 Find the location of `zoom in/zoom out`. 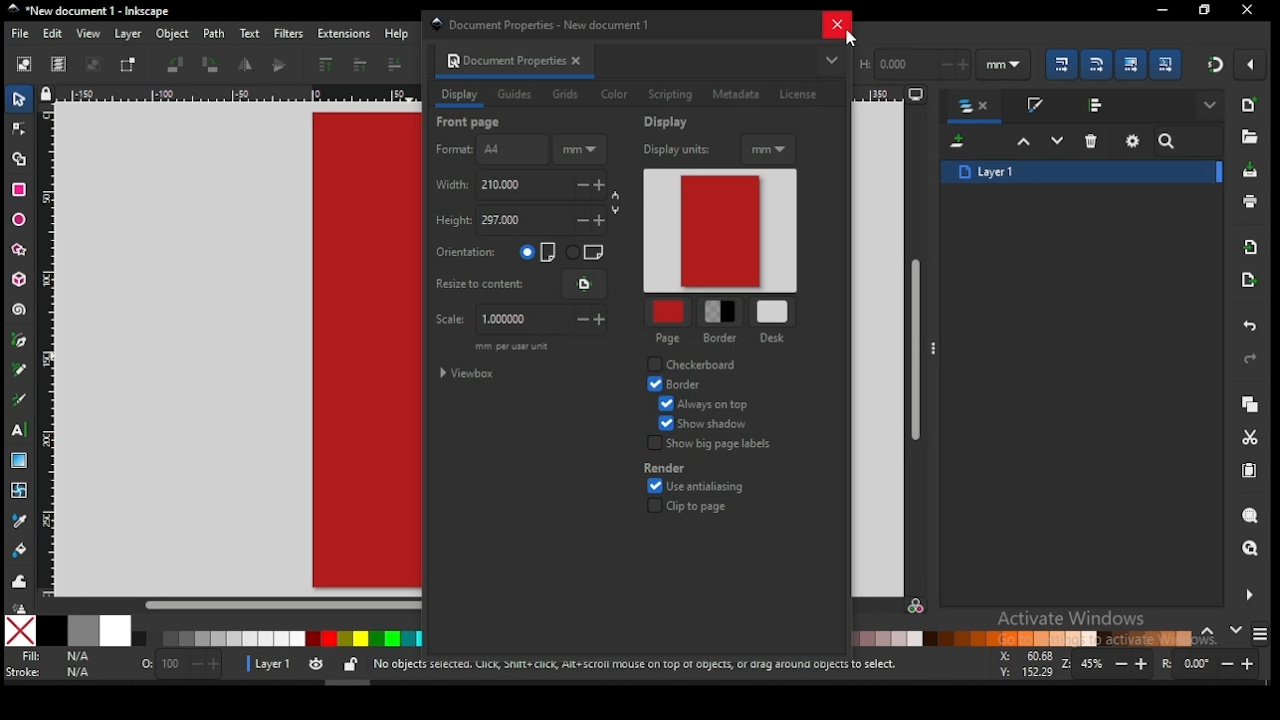

zoom in/zoom out is located at coordinates (1108, 664).